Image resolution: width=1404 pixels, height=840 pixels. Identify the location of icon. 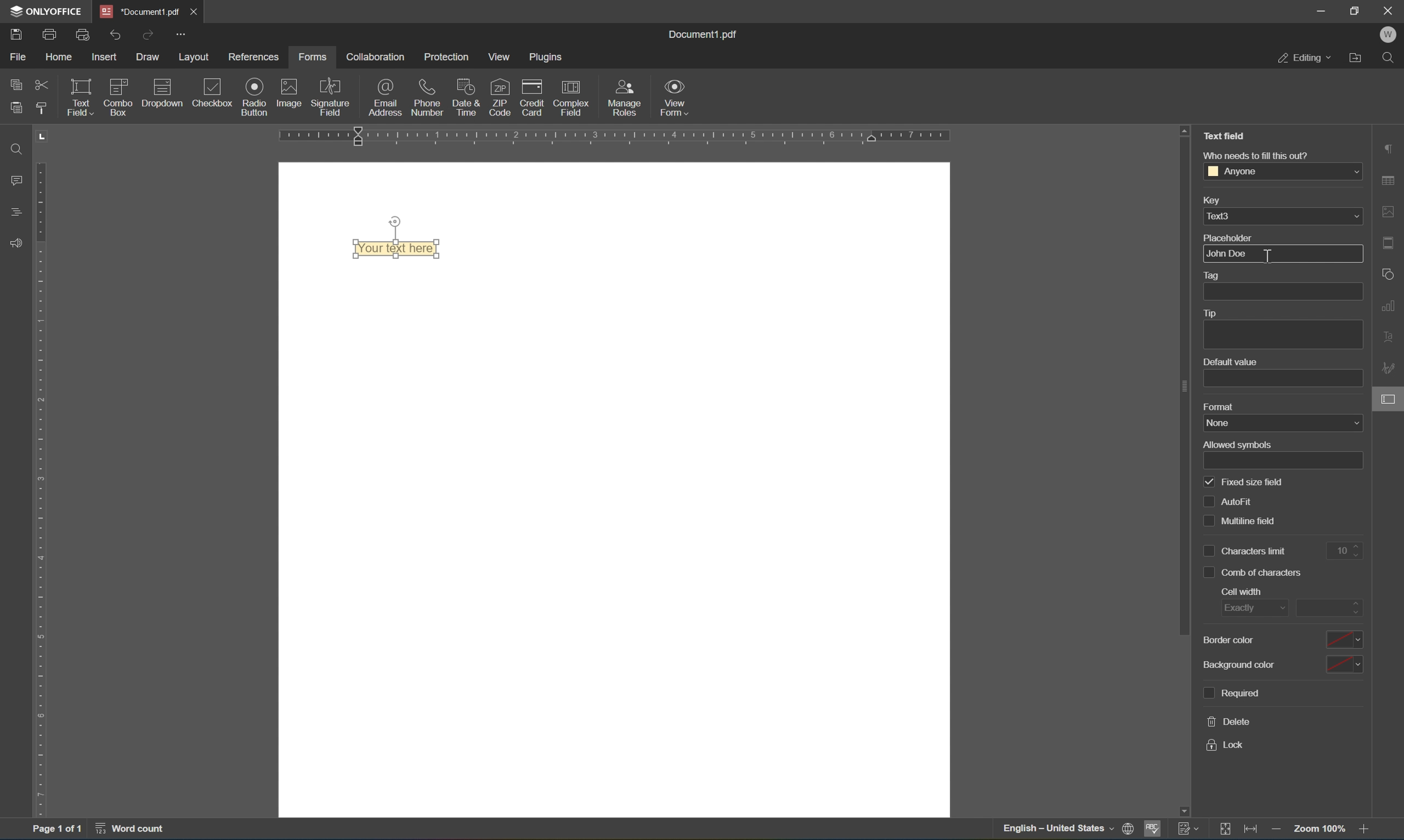
(121, 84).